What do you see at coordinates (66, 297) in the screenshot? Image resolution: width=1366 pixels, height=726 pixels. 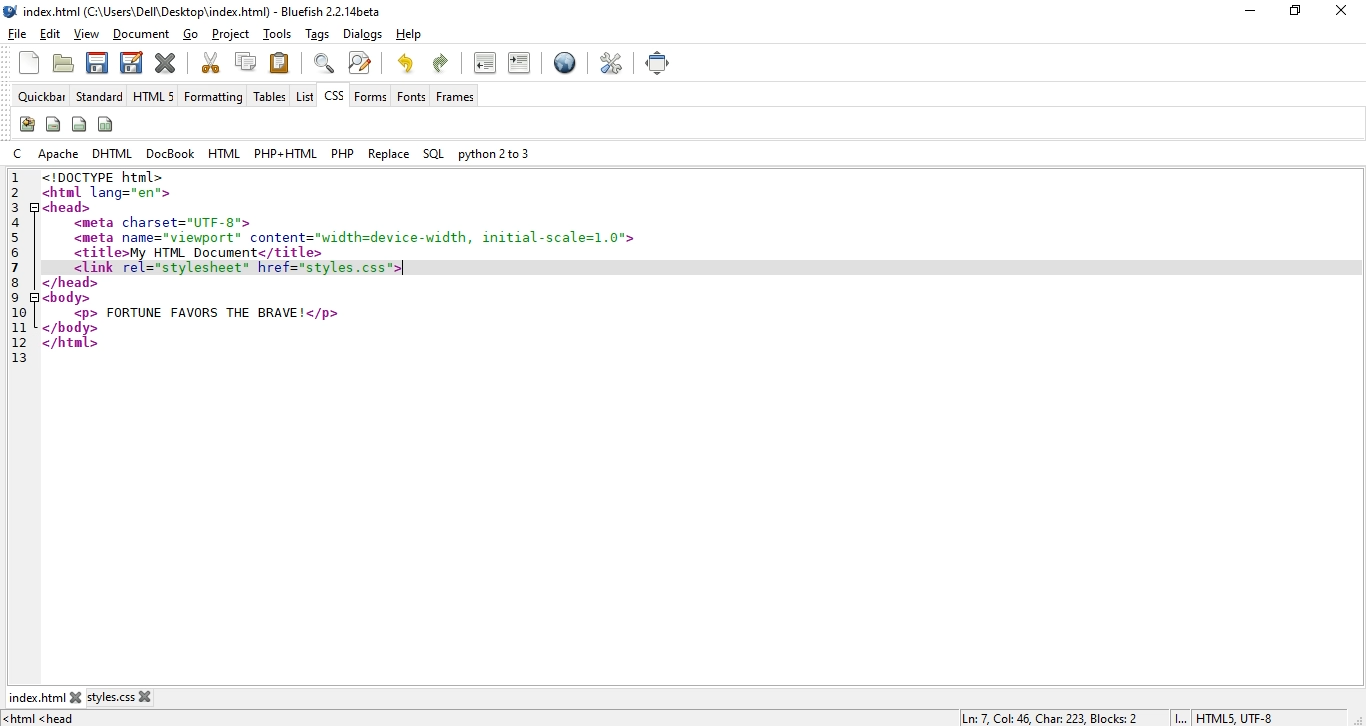 I see `<body>` at bounding box center [66, 297].